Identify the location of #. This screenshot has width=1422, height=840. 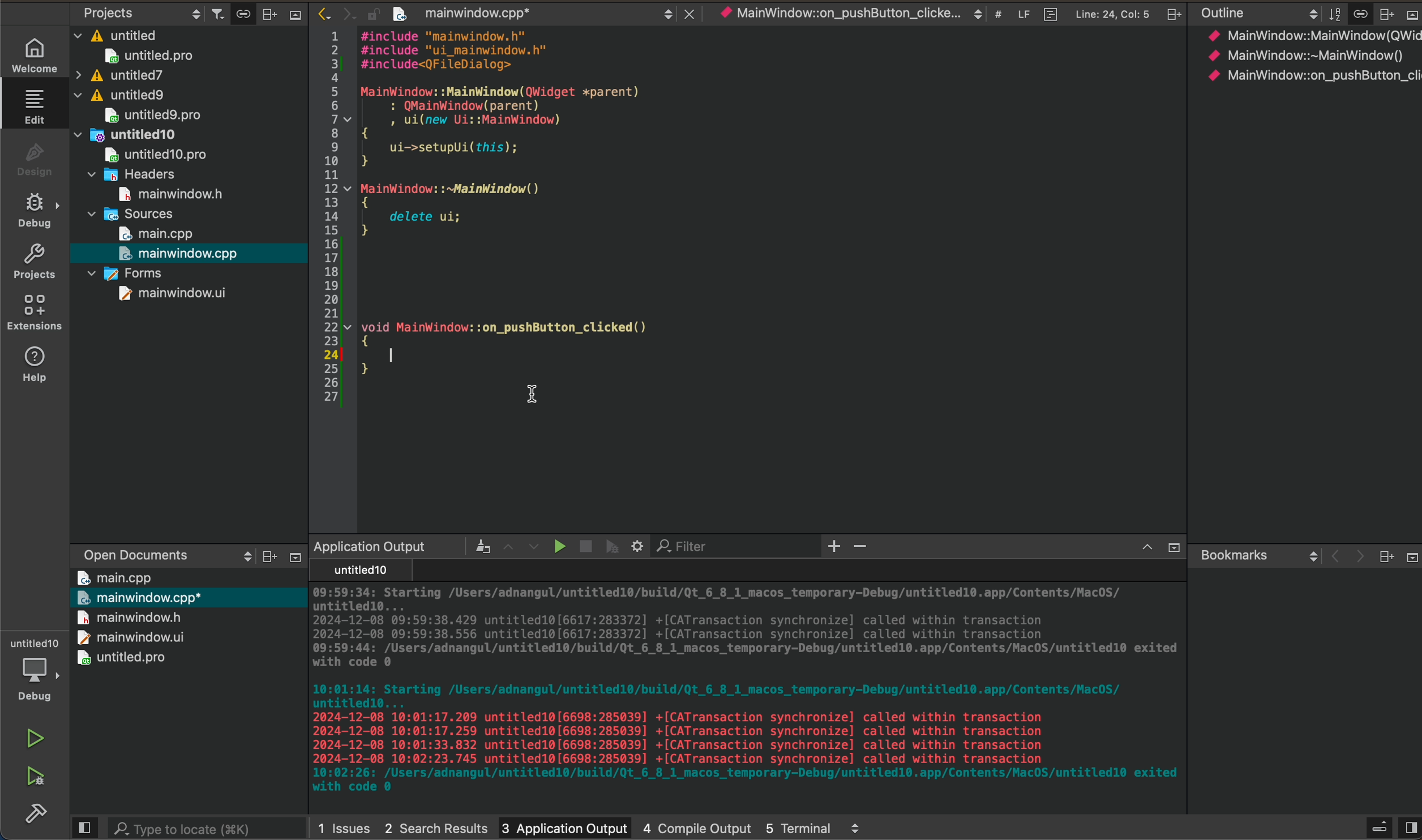
(997, 15).